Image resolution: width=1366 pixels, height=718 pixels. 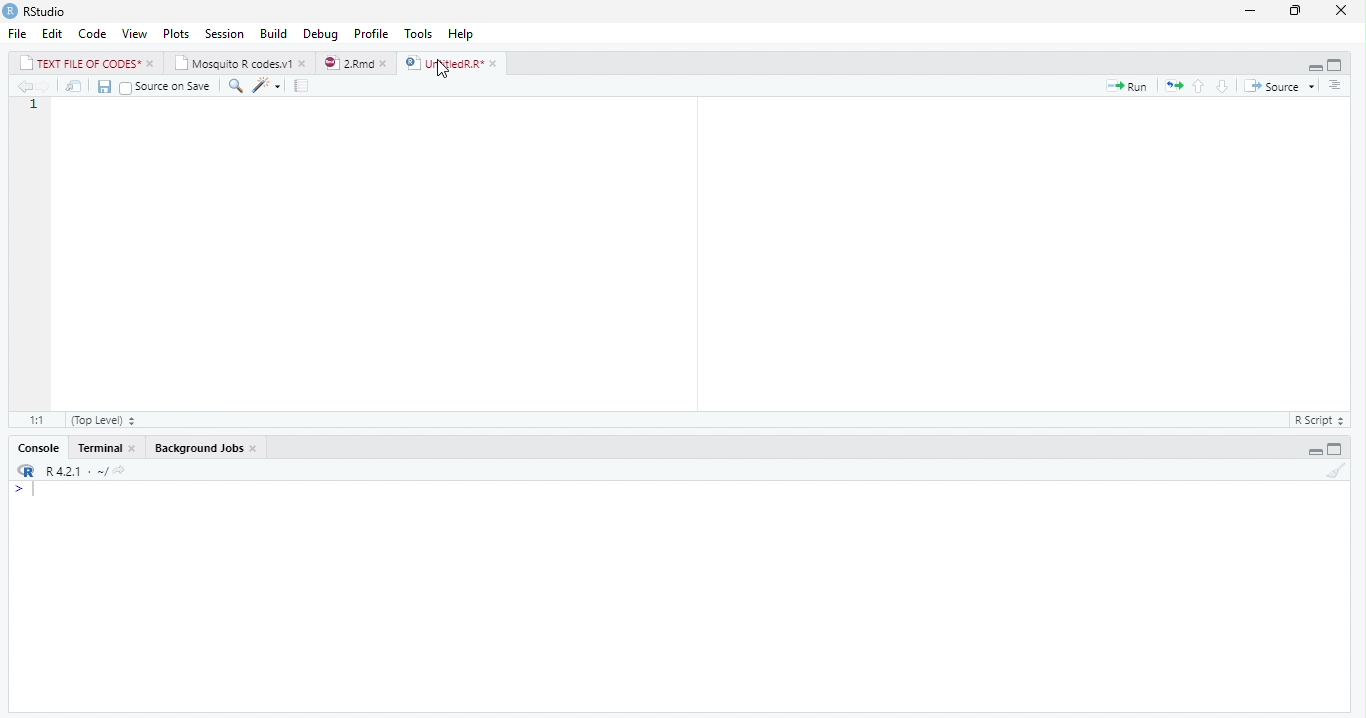 I want to click on compile report, so click(x=304, y=85).